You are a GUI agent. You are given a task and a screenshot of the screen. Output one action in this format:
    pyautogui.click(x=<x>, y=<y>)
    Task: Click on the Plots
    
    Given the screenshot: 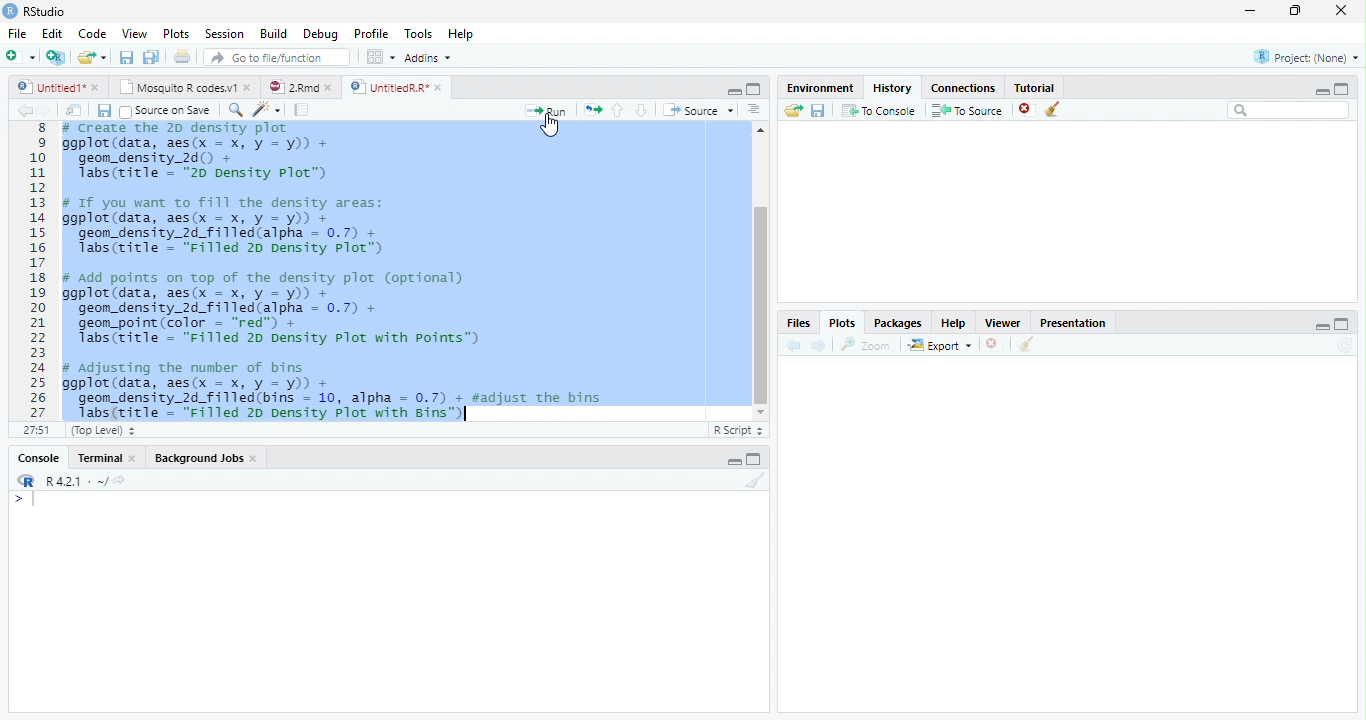 What is the action you would take?
    pyautogui.click(x=175, y=33)
    